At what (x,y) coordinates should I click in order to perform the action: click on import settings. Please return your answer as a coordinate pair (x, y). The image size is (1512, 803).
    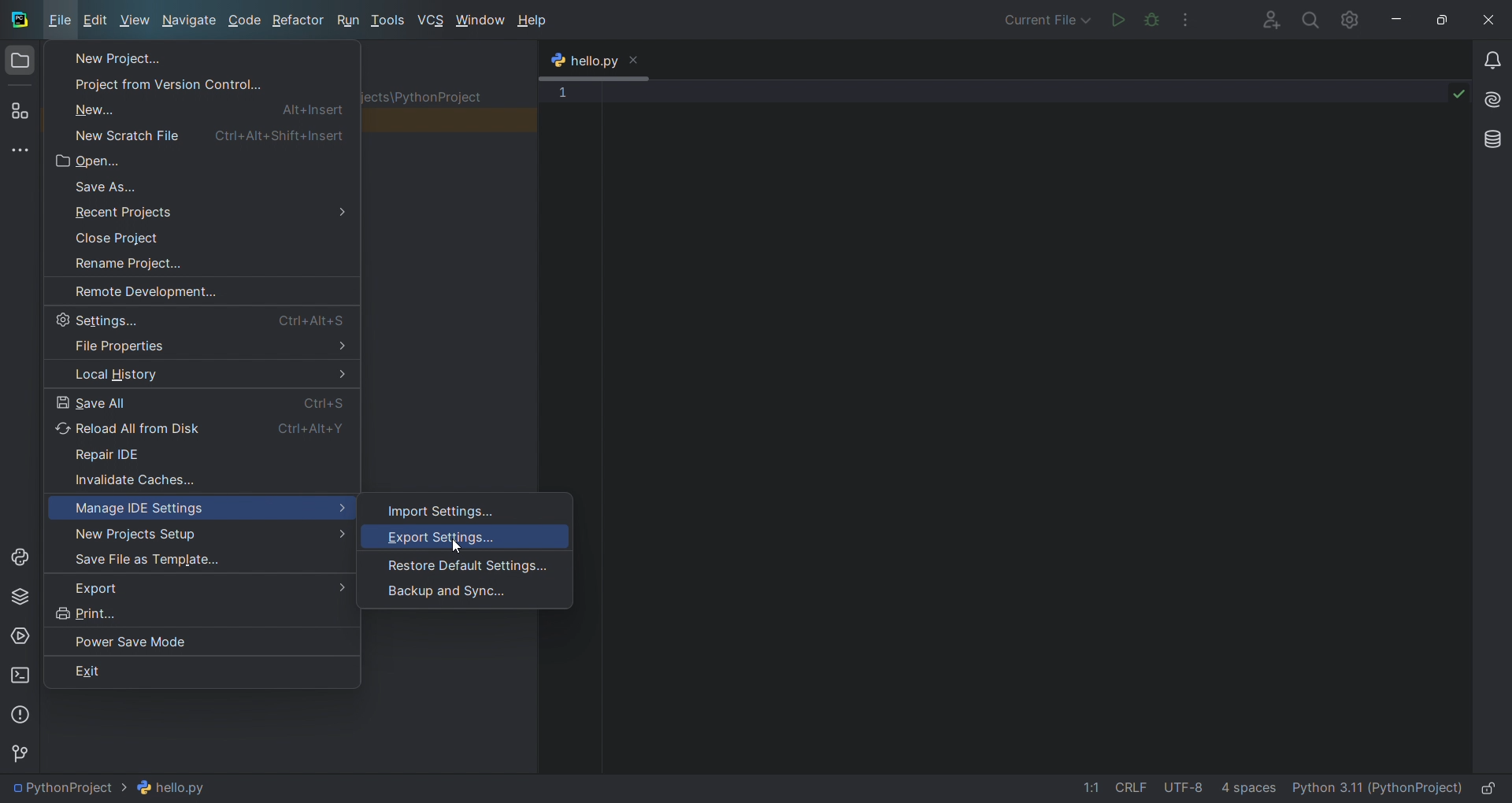
    Looking at the image, I should click on (448, 505).